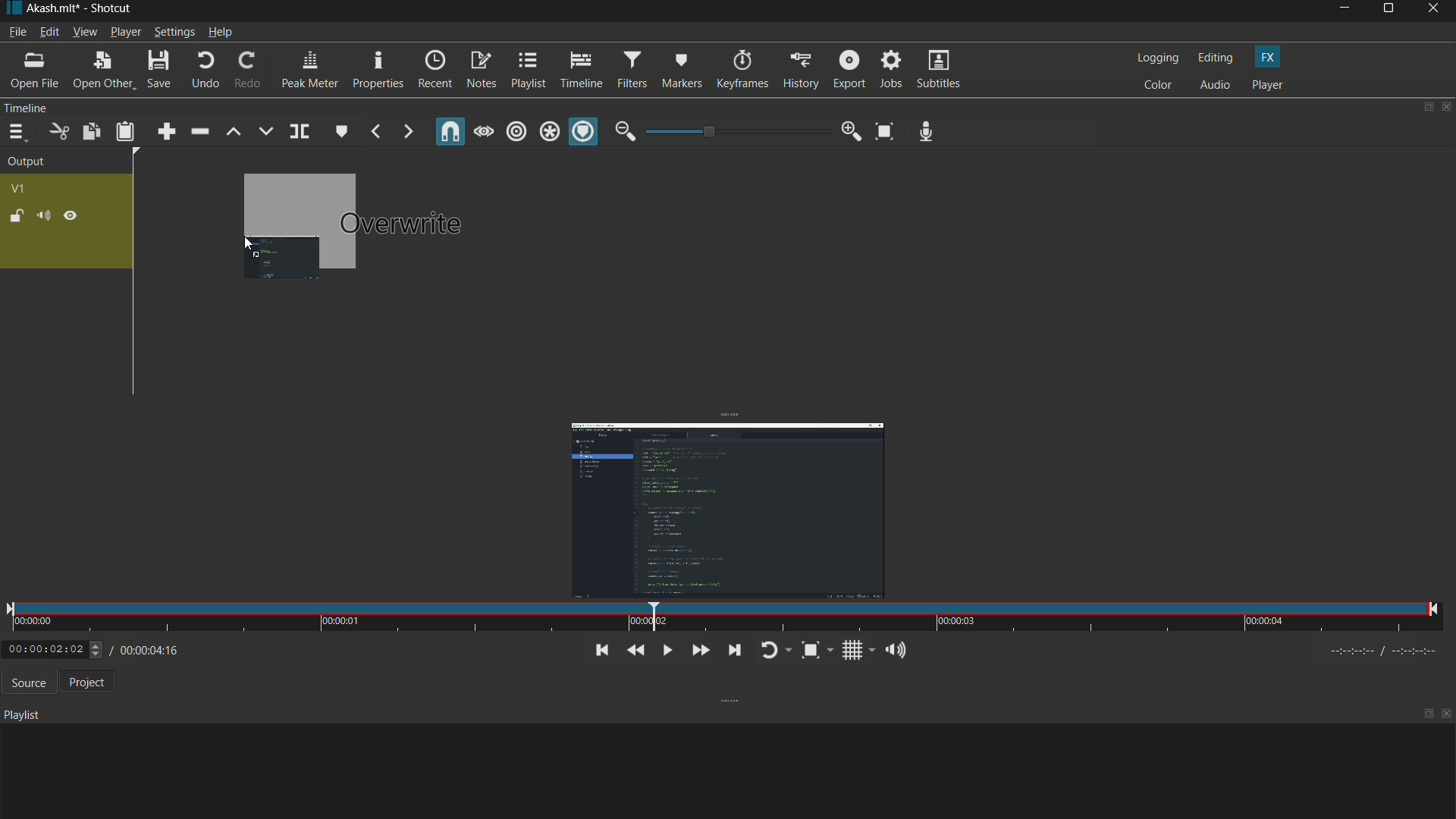 The width and height of the screenshot is (1456, 819). Describe the element at coordinates (221, 32) in the screenshot. I see `help menu` at that location.